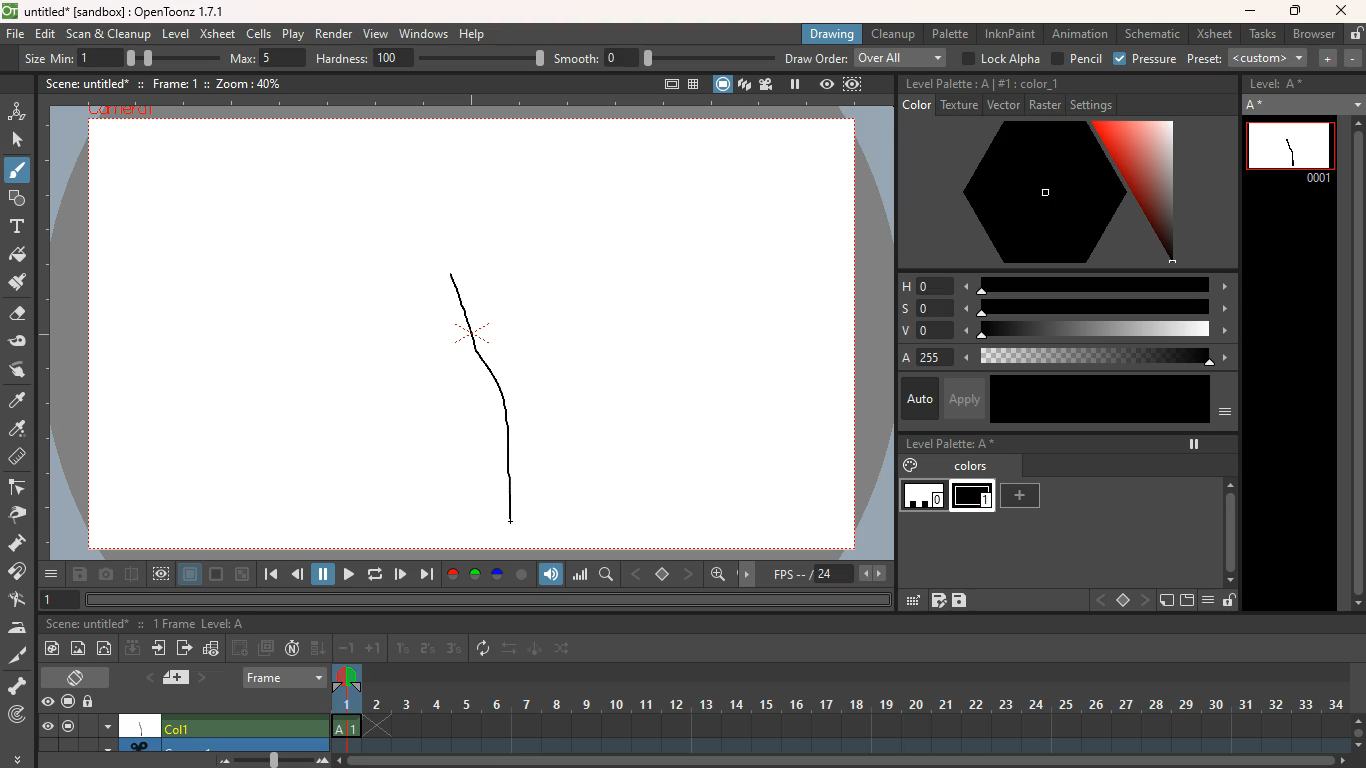 The image size is (1366, 768). Describe the element at coordinates (1030, 84) in the screenshot. I see `#1:color_1` at that location.